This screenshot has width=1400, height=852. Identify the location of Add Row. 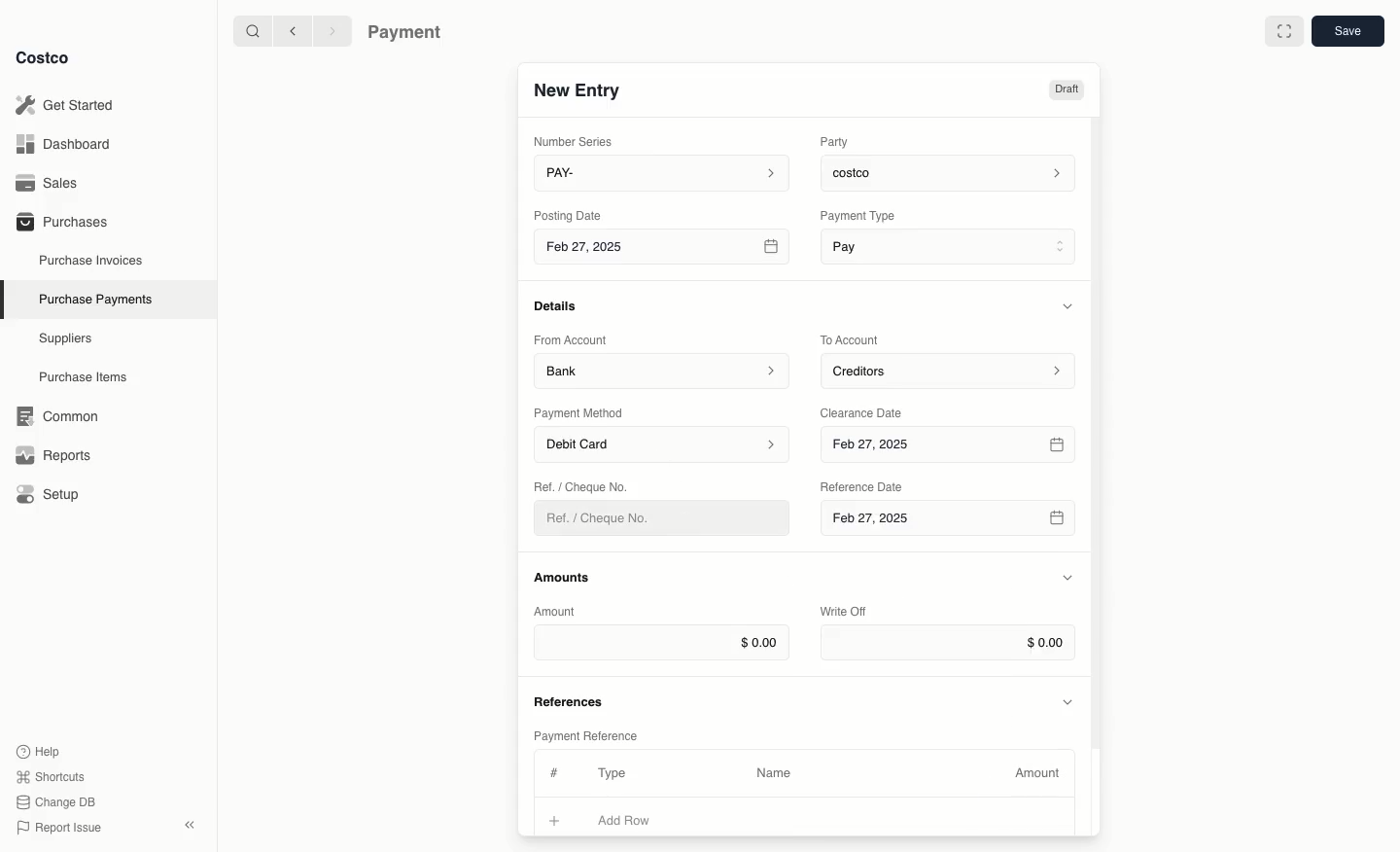
(637, 820).